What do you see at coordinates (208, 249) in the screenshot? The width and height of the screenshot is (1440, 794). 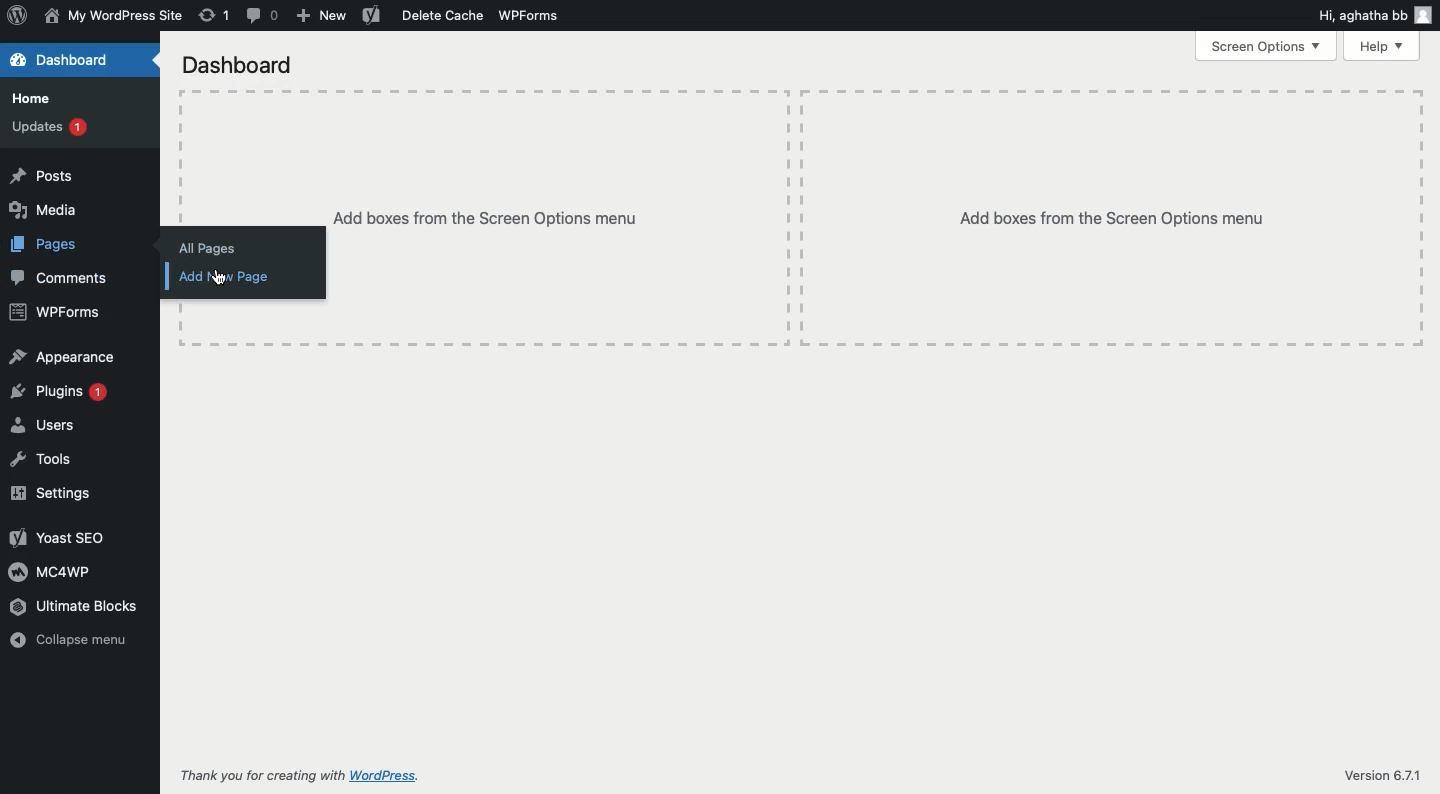 I see `All pages` at bounding box center [208, 249].